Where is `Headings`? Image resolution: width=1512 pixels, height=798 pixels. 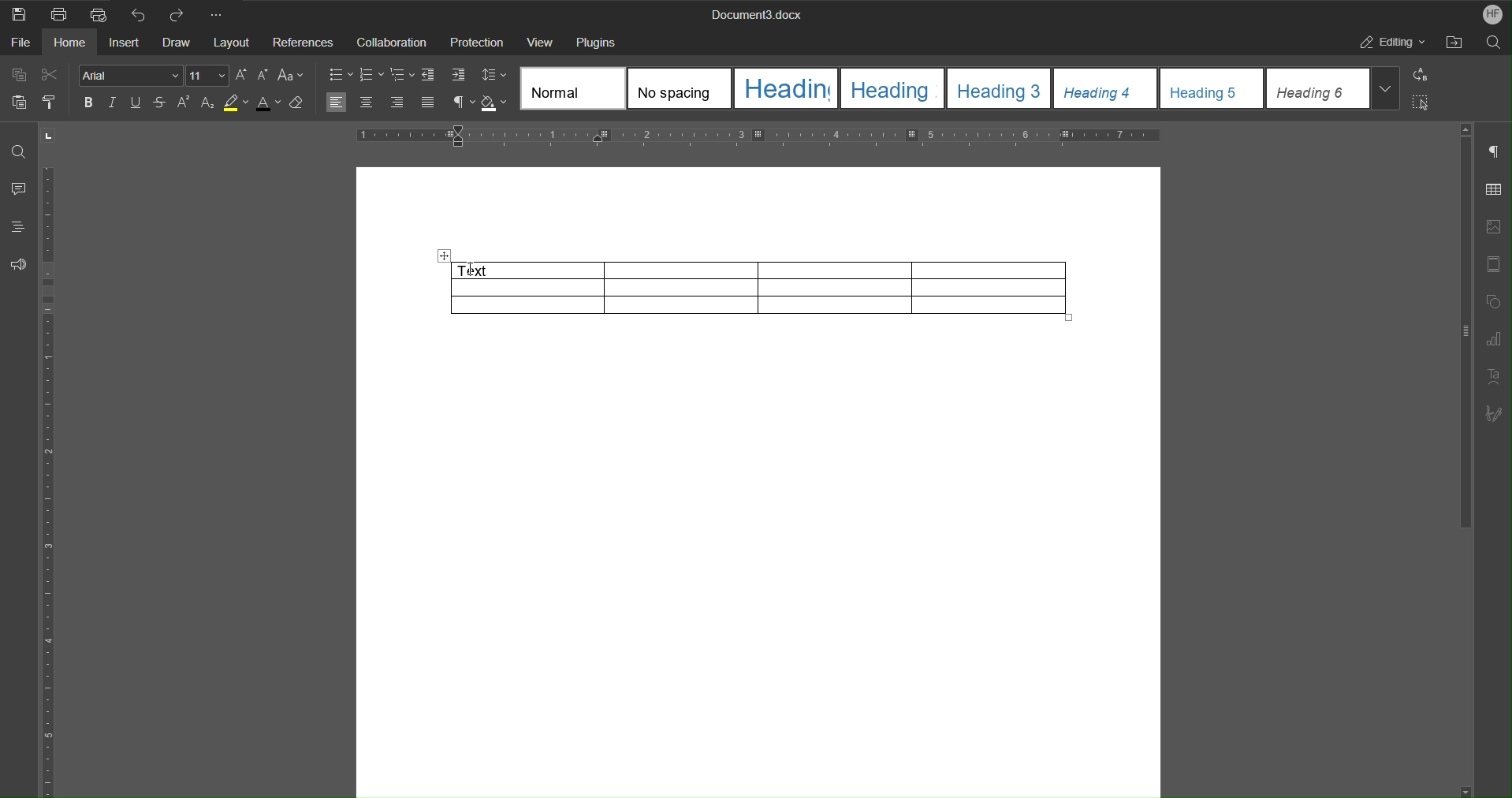
Headings is located at coordinates (18, 226).